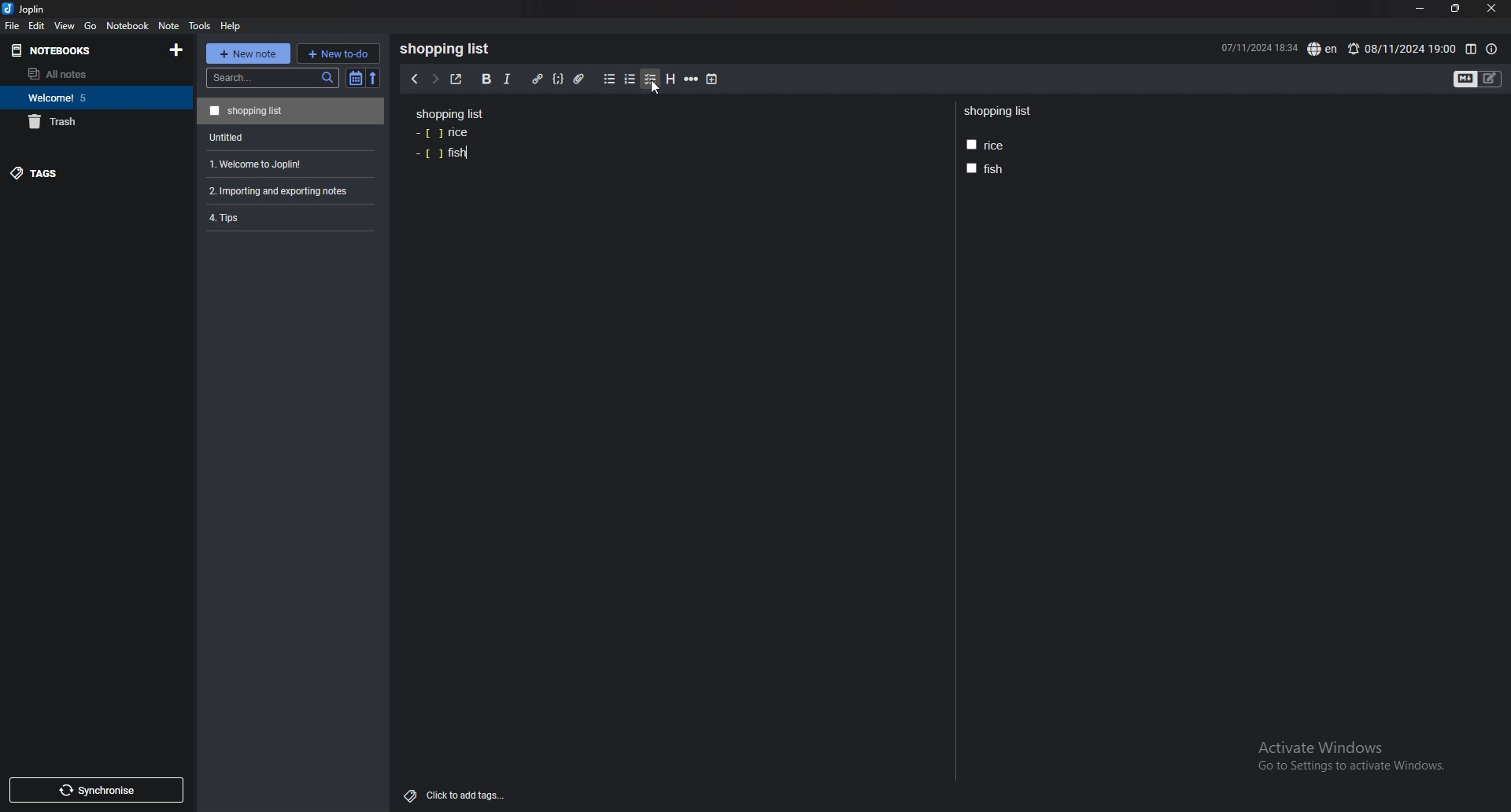  I want to click on reverse sort order, so click(376, 78).